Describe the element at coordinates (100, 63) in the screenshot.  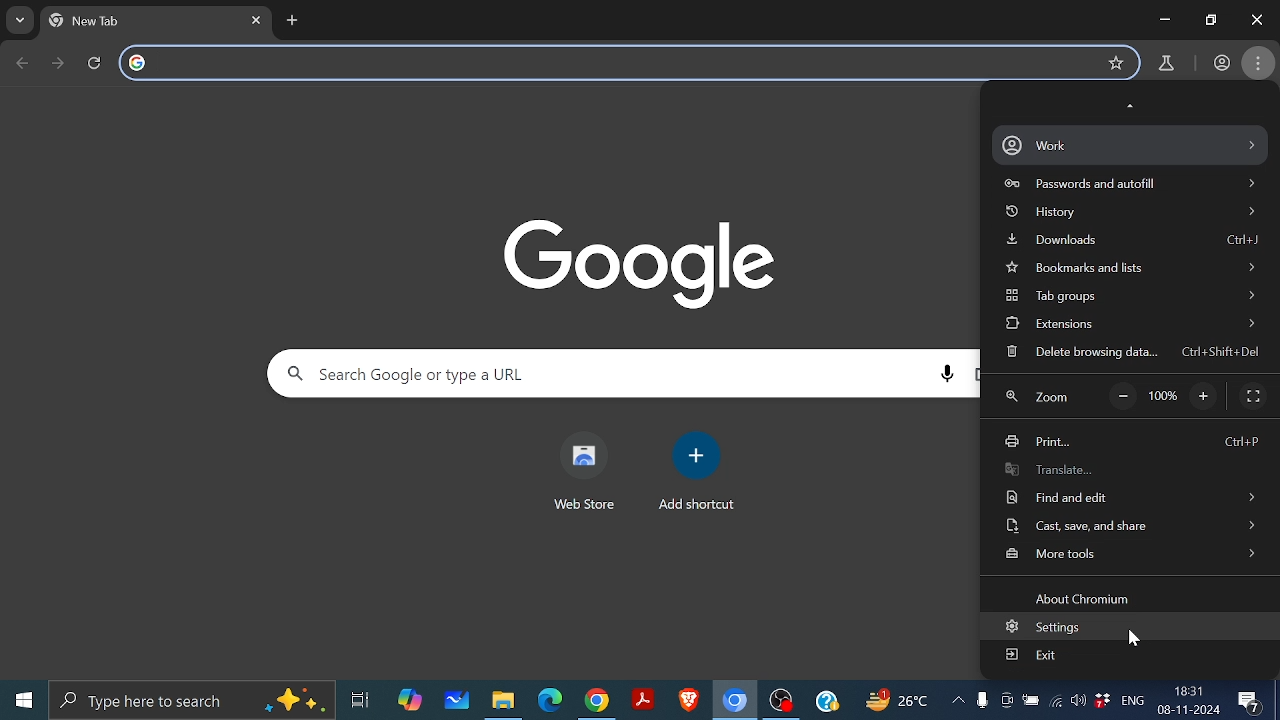
I see `Reload` at that location.